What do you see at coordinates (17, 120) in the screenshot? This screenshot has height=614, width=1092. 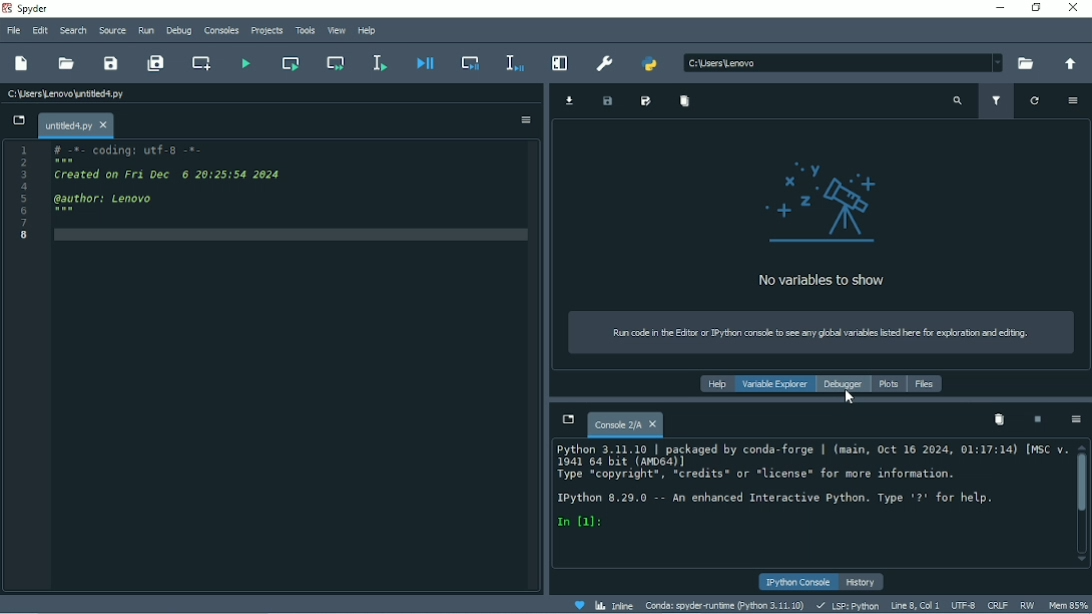 I see `Browse tabs` at bounding box center [17, 120].